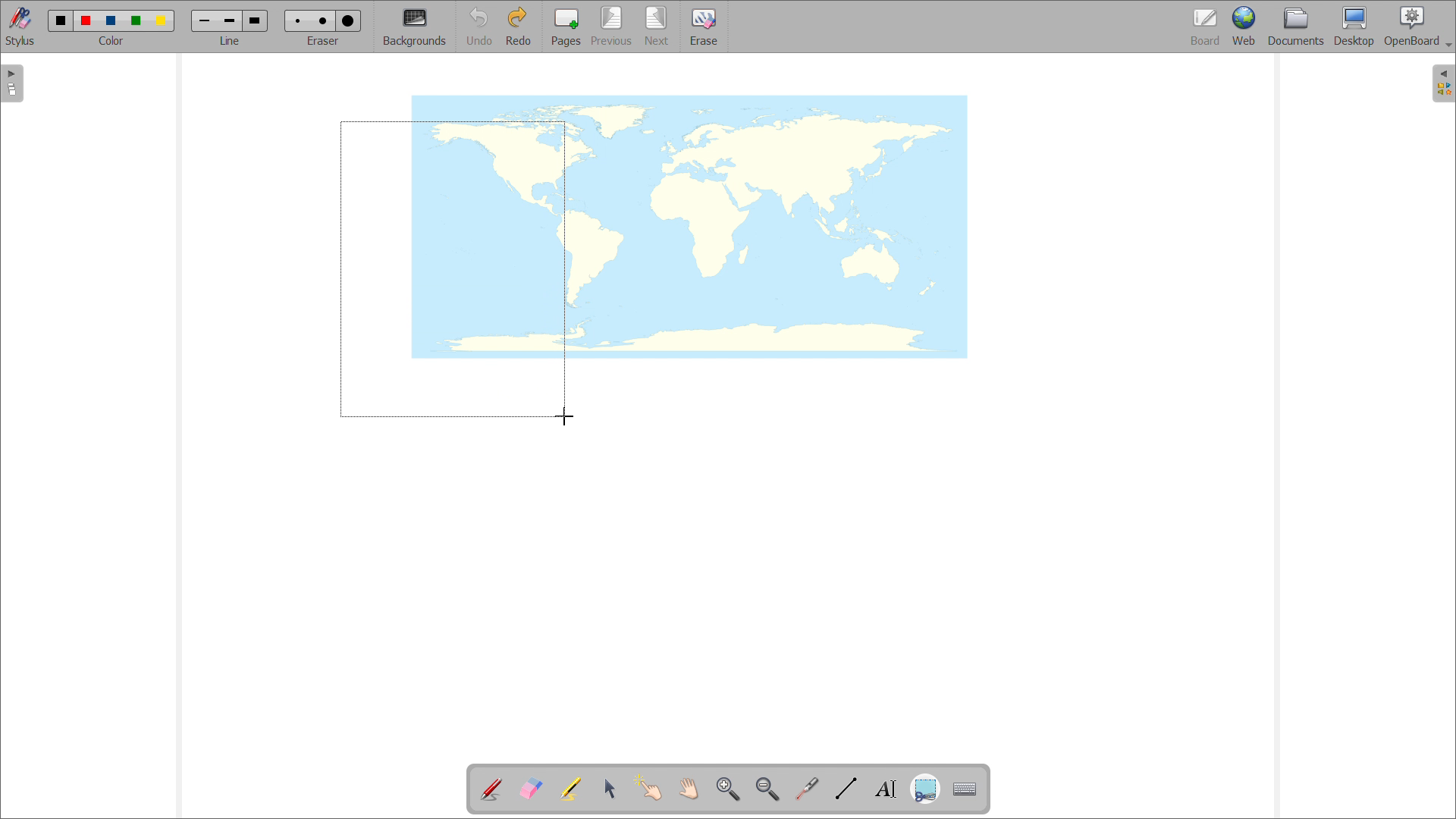 This screenshot has height=819, width=1456. I want to click on highlights, so click(570, 789).